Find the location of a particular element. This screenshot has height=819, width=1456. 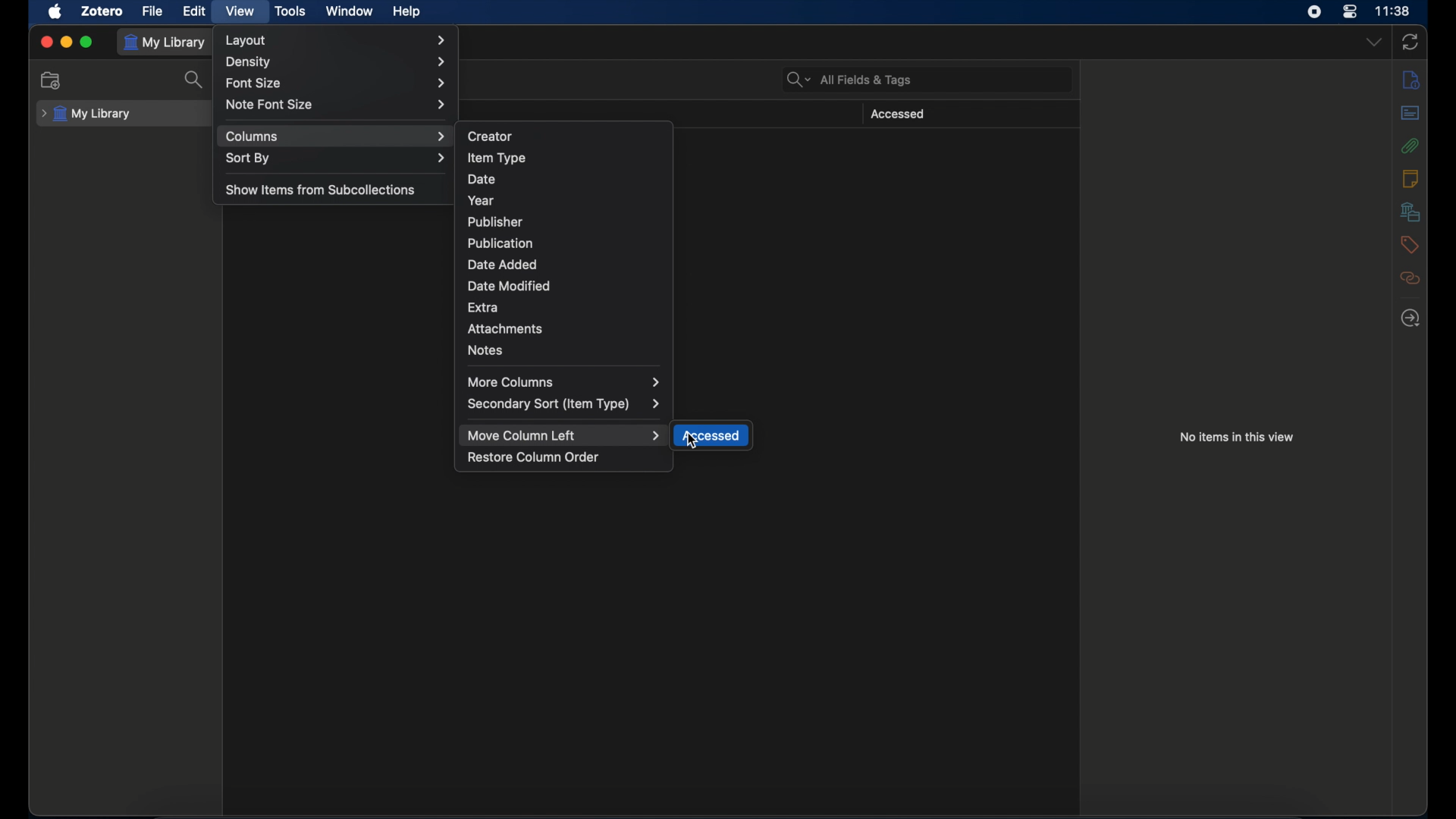

attachments is located at coordinates (506, 329).